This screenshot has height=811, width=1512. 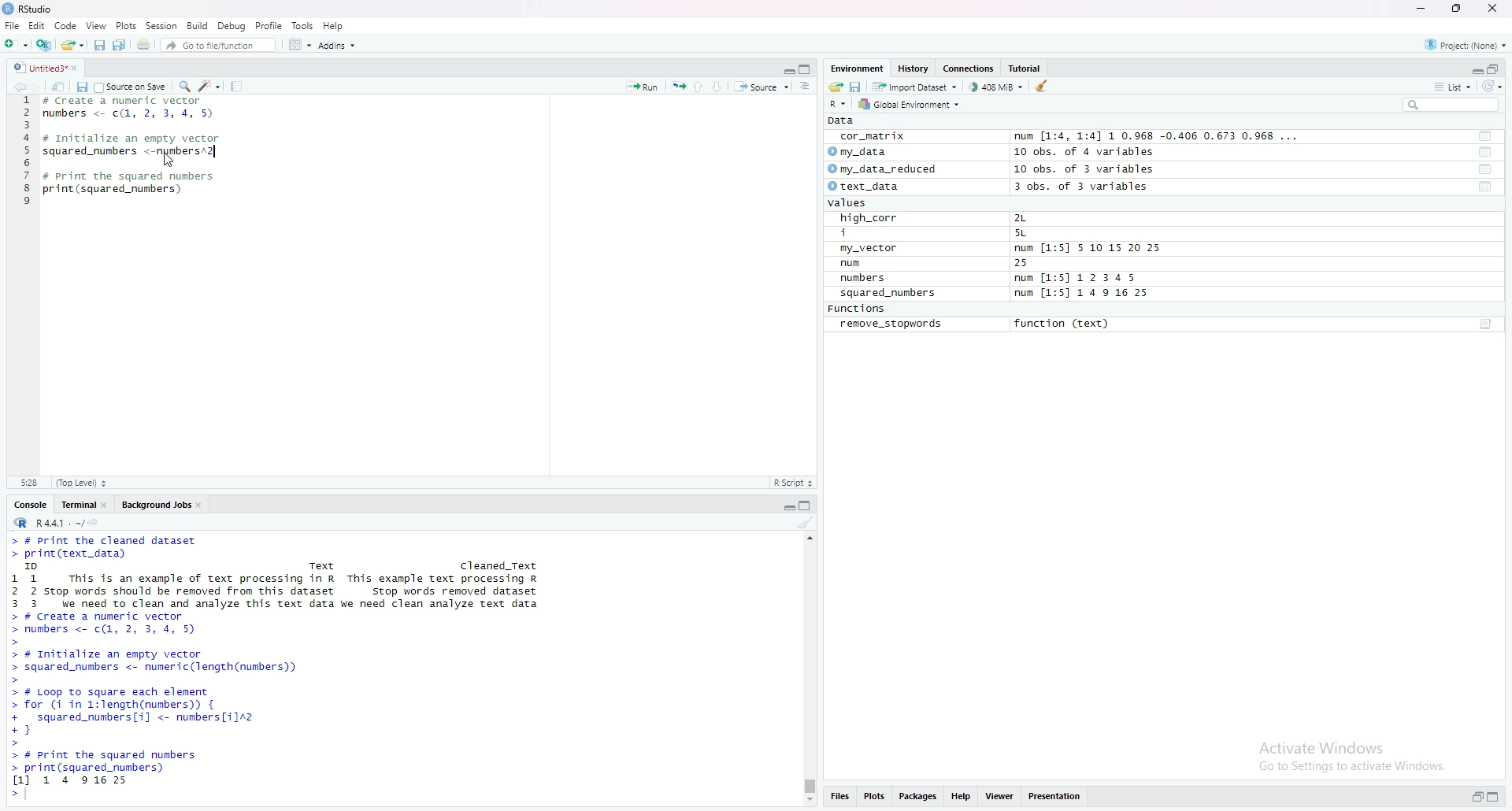 I want to click on Activate Windows
Go to Settings to activate Windows., so click(x=1354, y=754).